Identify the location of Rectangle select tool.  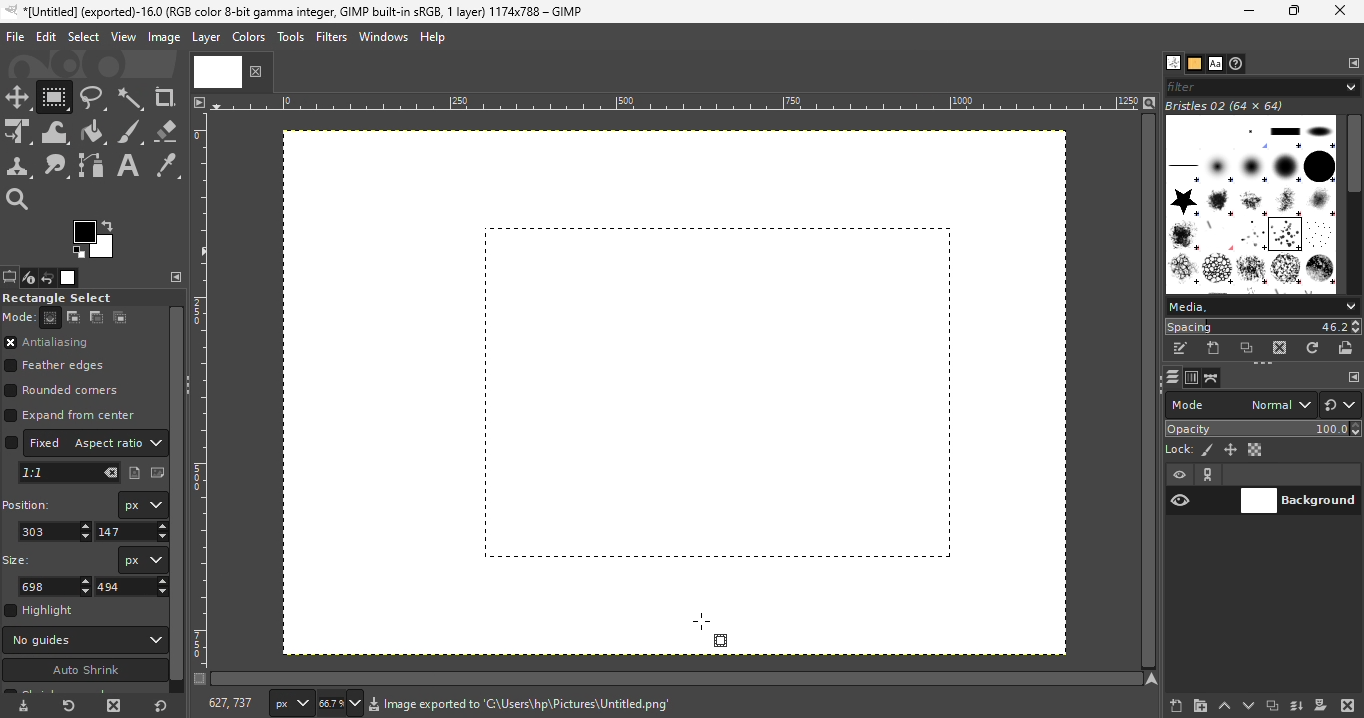
(56, 97).